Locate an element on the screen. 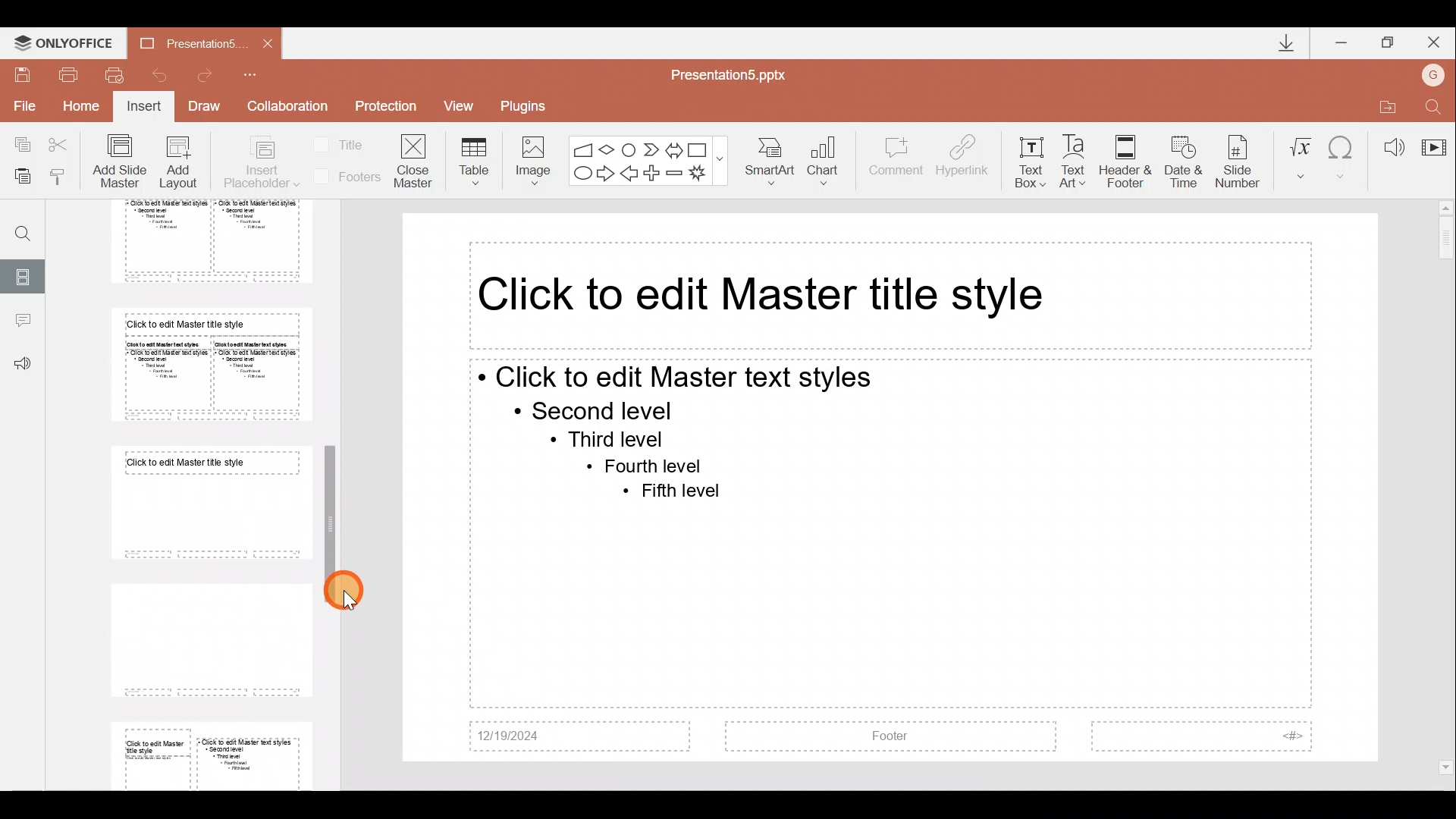 The width and height of the screenshot is (1456, 819). Maximize is located at coordinates (1389, 40).